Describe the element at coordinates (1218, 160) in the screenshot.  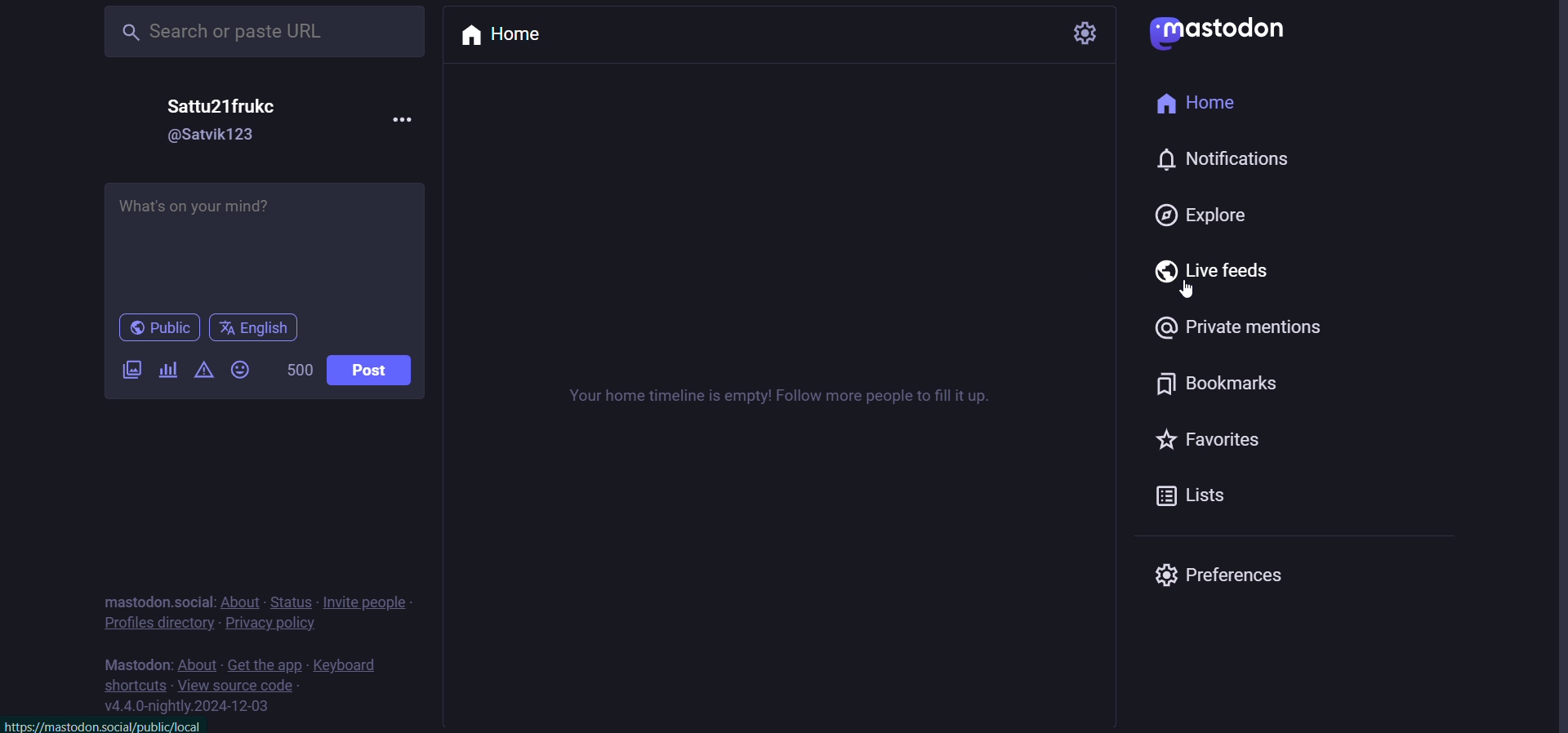
I see `notification` at that location.